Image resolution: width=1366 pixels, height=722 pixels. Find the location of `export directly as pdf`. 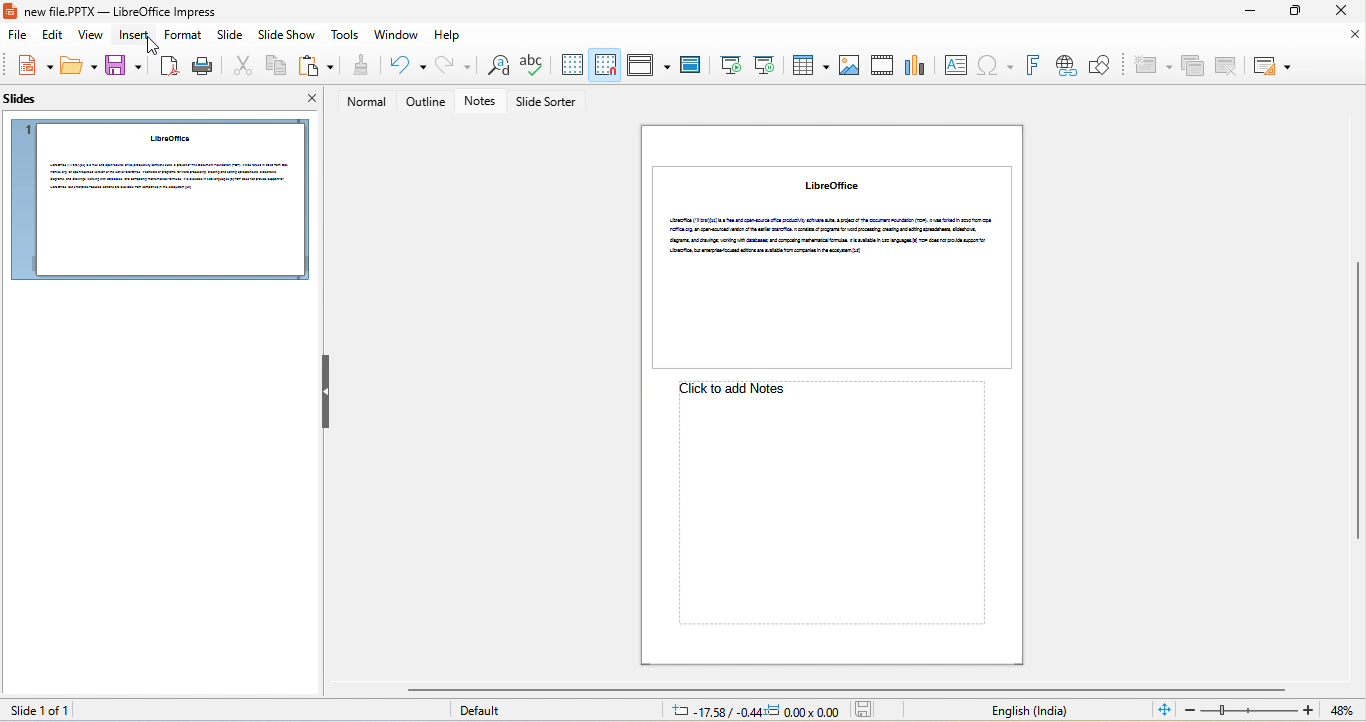

export directly as pdf is located at coordinates (167, 66).